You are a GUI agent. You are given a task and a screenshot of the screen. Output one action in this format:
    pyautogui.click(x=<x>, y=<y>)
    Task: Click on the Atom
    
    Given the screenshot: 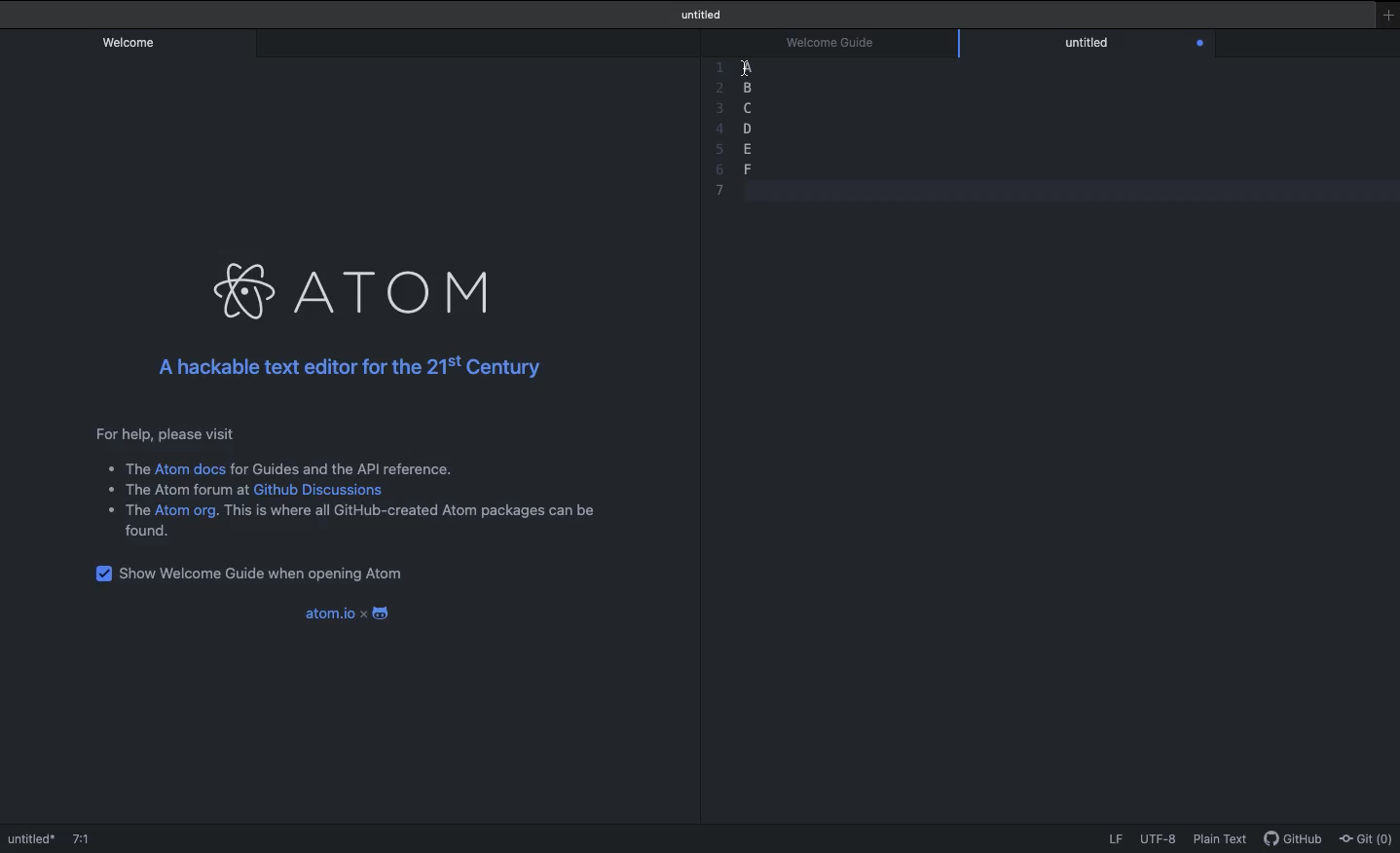 What is the action you would take?
    pyautogui.click(x=360, y=284)
    